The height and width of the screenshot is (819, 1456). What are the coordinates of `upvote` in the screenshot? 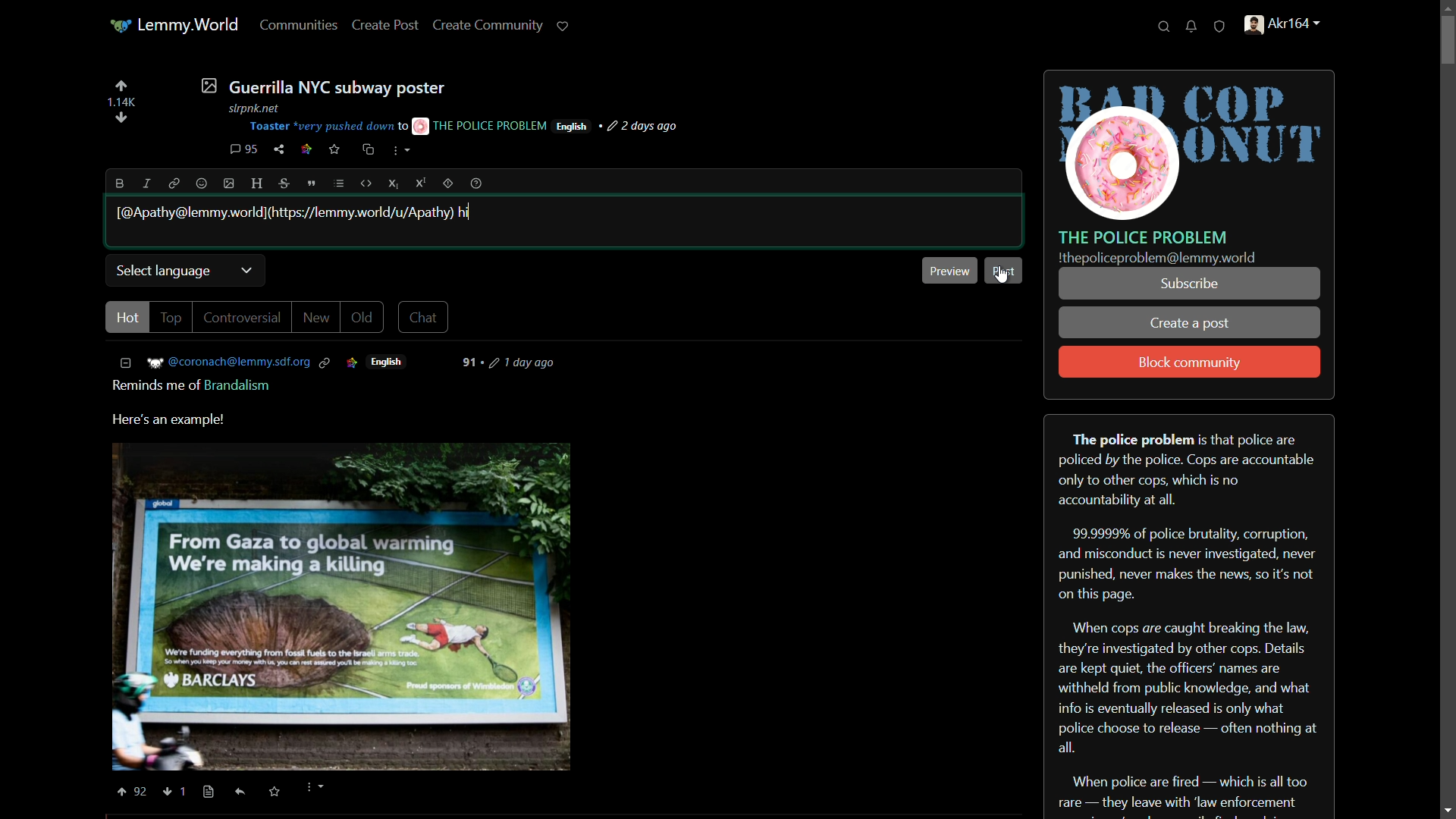 It's located at (121, 86).